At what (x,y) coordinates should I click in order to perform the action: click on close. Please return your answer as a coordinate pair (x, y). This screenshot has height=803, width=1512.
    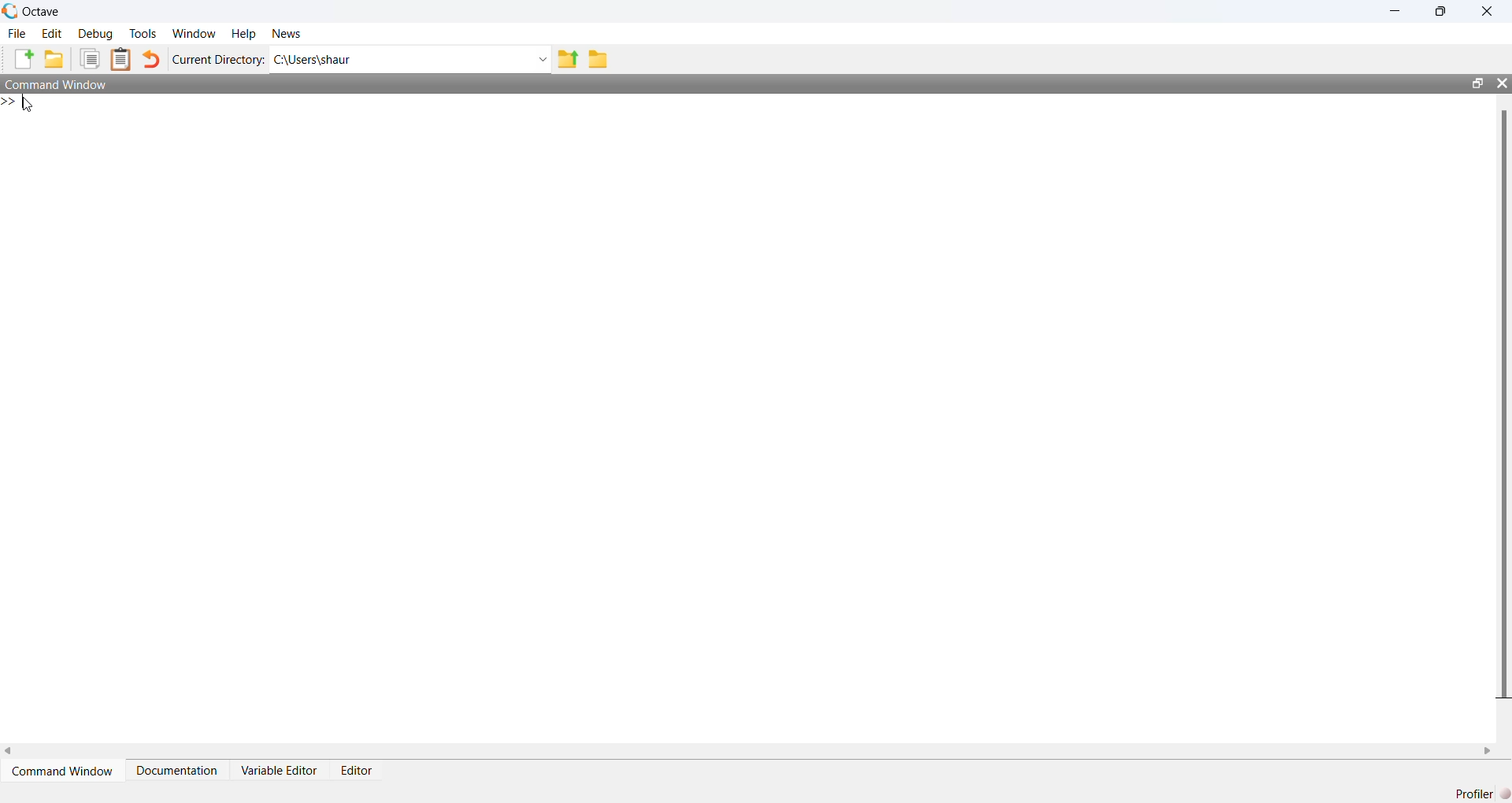
    Looking at the image, I should click on (1502, 83).